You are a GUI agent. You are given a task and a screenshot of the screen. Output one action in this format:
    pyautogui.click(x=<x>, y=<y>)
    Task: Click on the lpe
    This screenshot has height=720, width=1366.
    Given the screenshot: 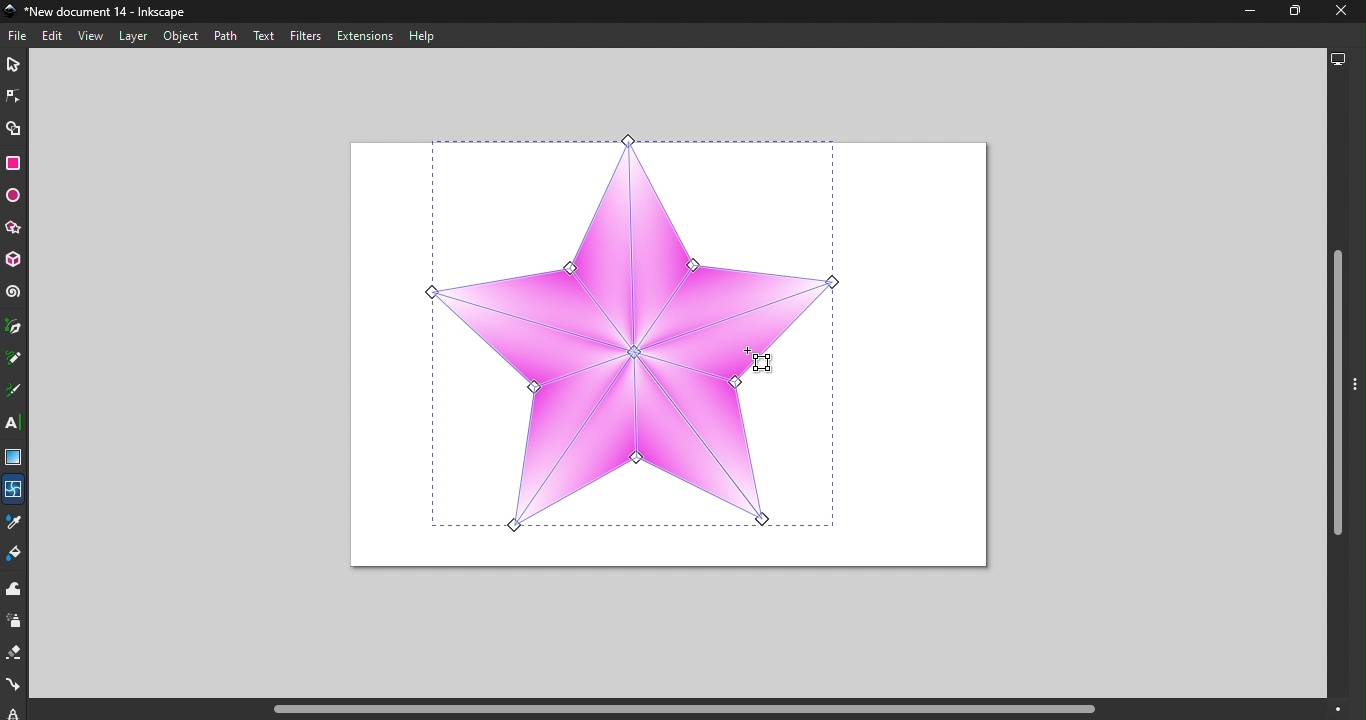 What is the action you would take?
    pyautogui.click(x=9, y=711)
    